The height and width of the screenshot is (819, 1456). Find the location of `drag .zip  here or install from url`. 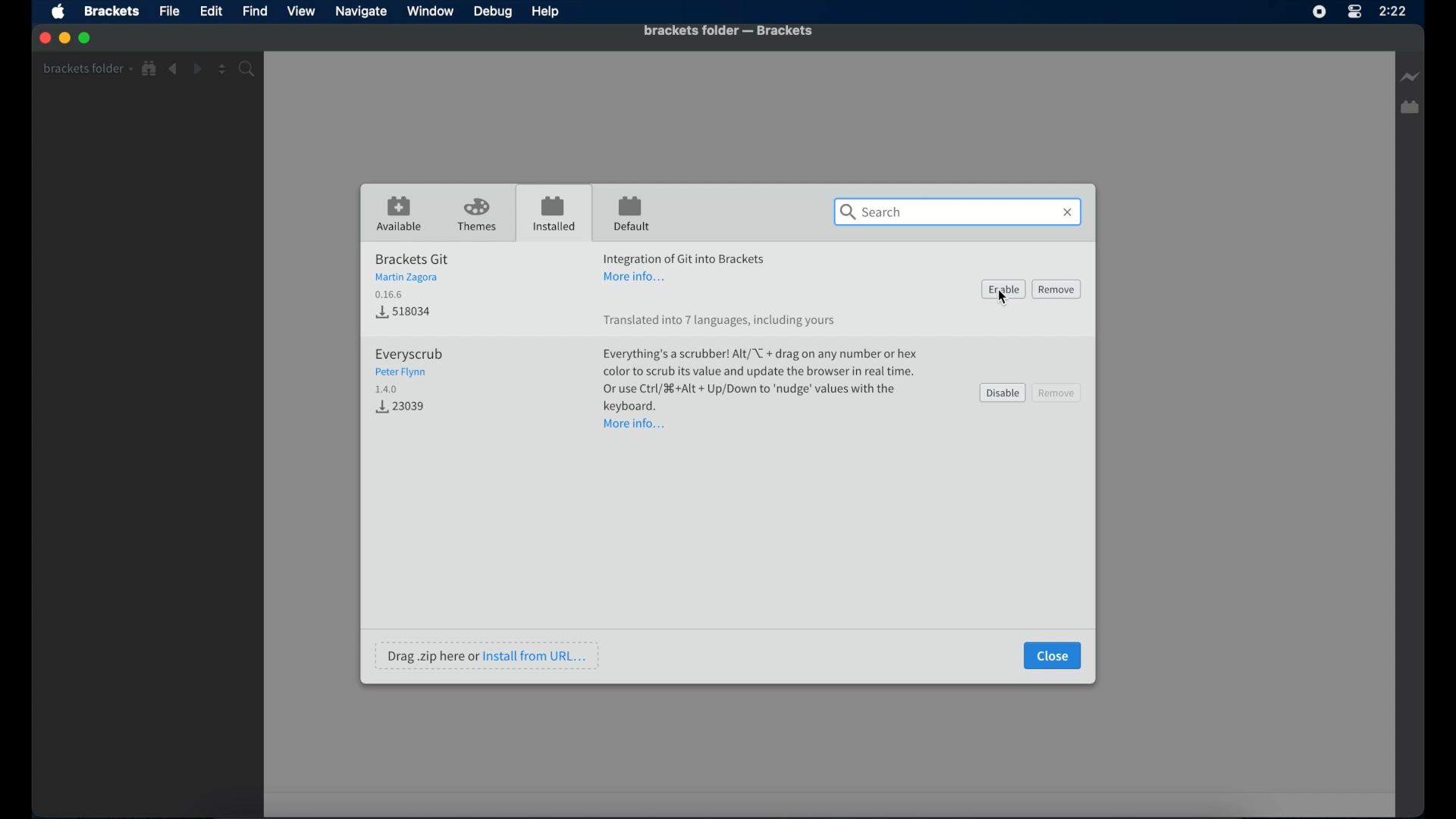

drag .zip  here or install from url is located at coordinates (488, 655).